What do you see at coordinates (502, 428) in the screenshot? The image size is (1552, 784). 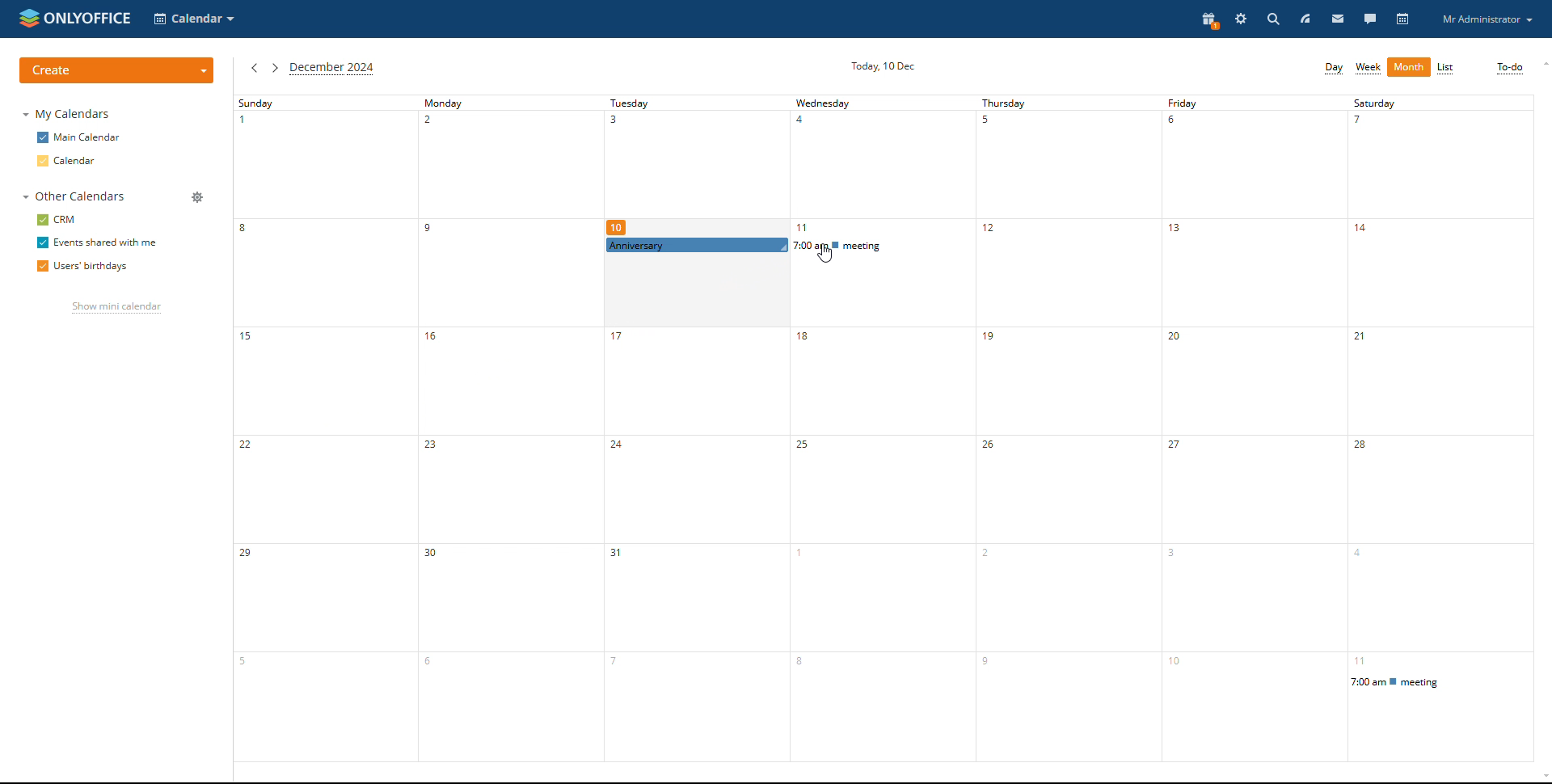 I see `monday` at bounding box center [502, 428].